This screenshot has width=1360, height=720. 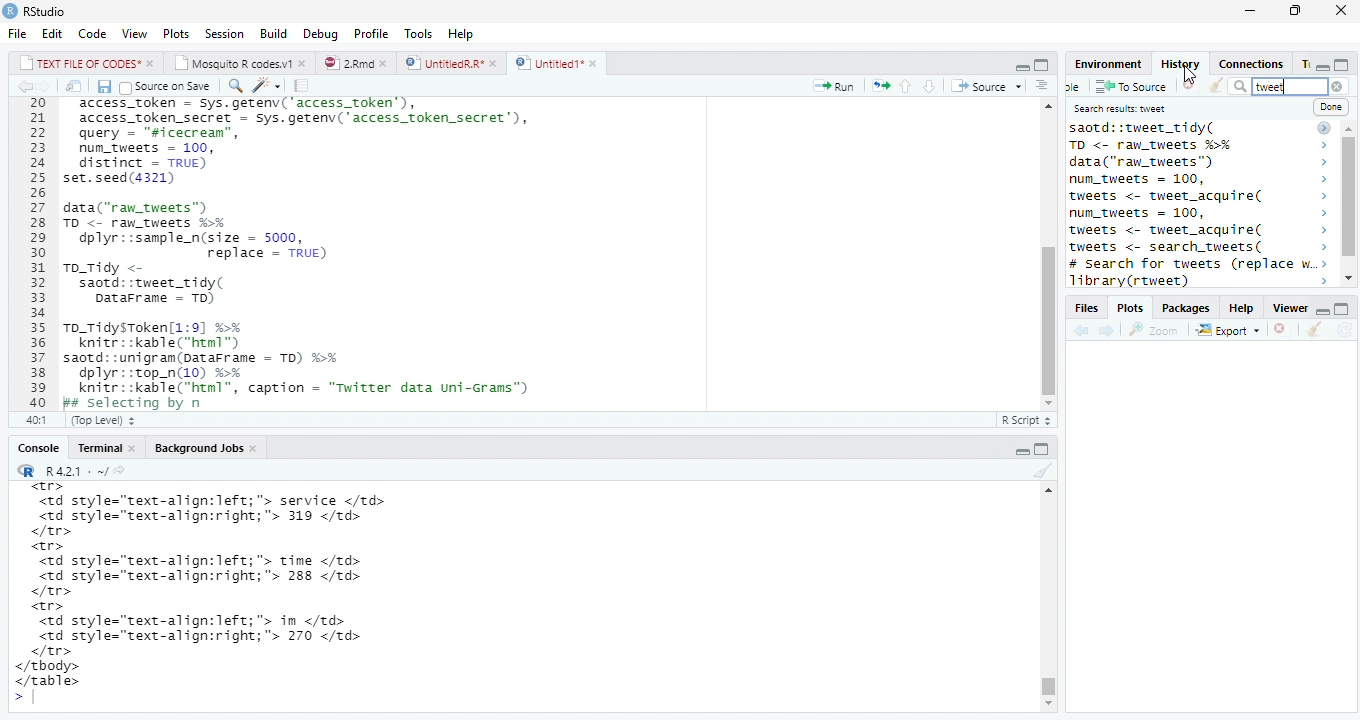 What do you see at coordinates (1231, 331) in the screenshot?
I see ` Export` at bounding box center [1231, 331].